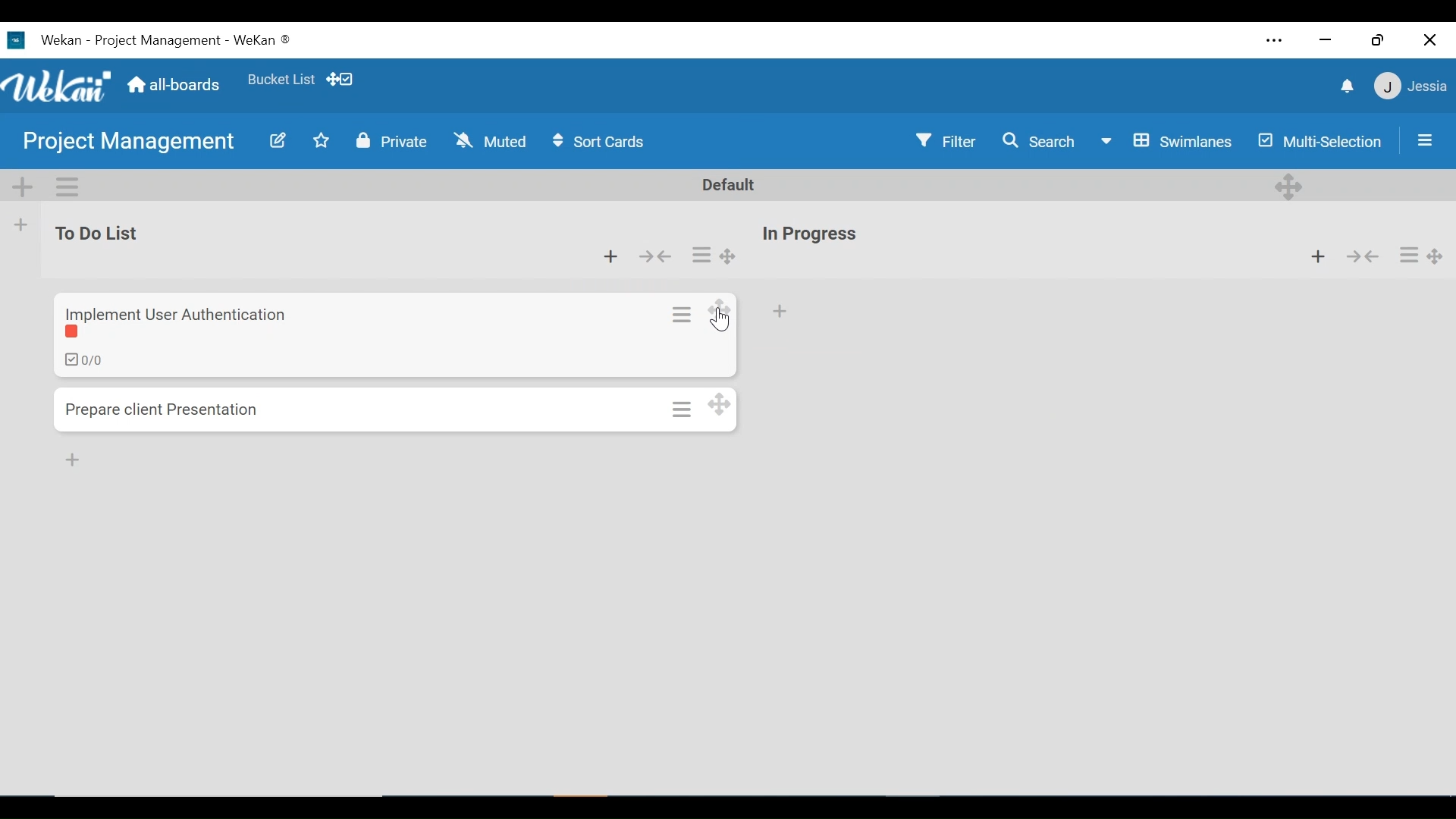 This screenshot has height=819, width=1456. What do you see at coordinates (342, 79) in the screenshot?
I see `Show Desktop drag handles` at bounding box center [342, 79].